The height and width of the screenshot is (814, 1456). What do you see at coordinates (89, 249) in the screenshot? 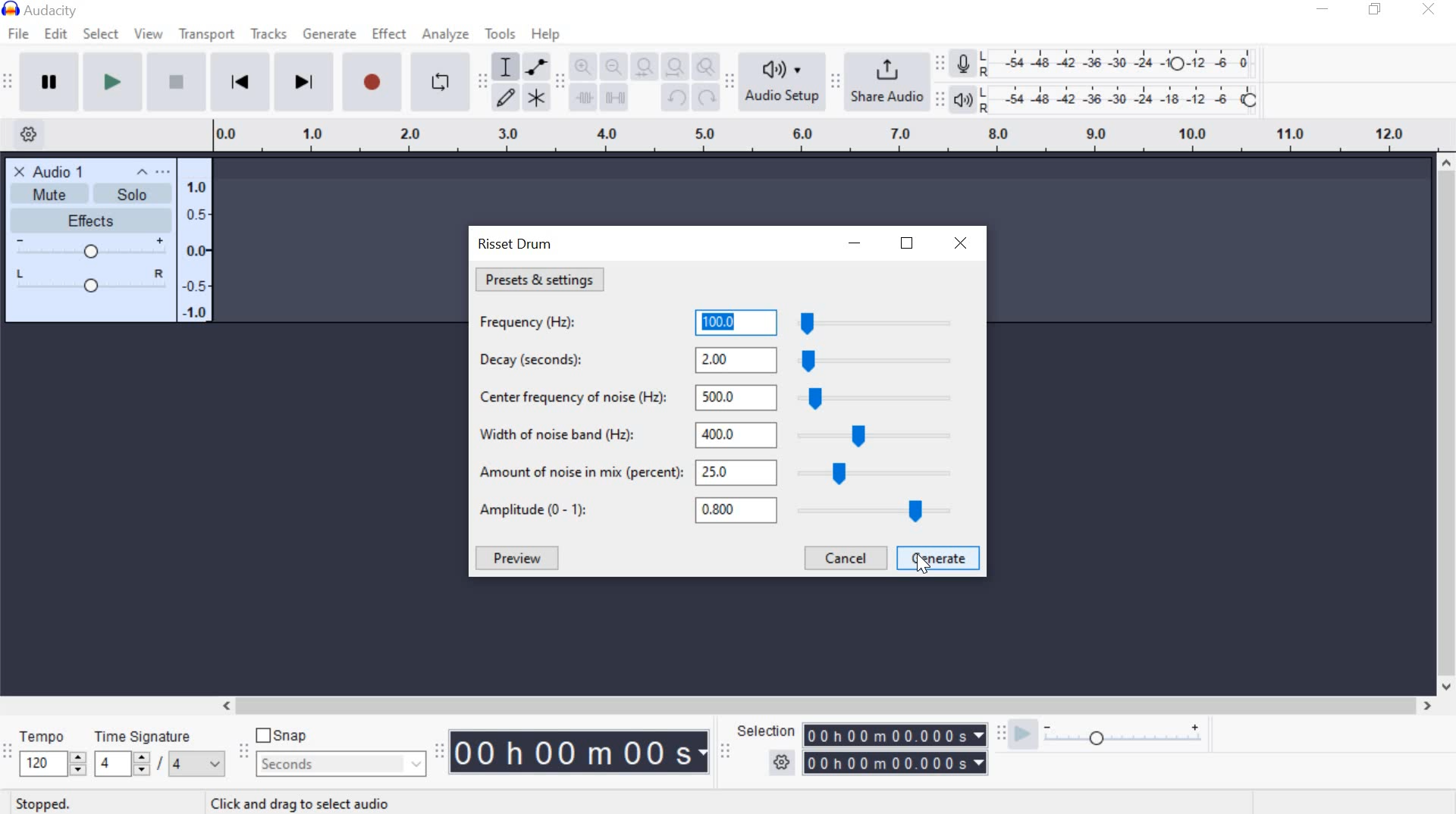
I see `volume` at bounding box center [89, 249].